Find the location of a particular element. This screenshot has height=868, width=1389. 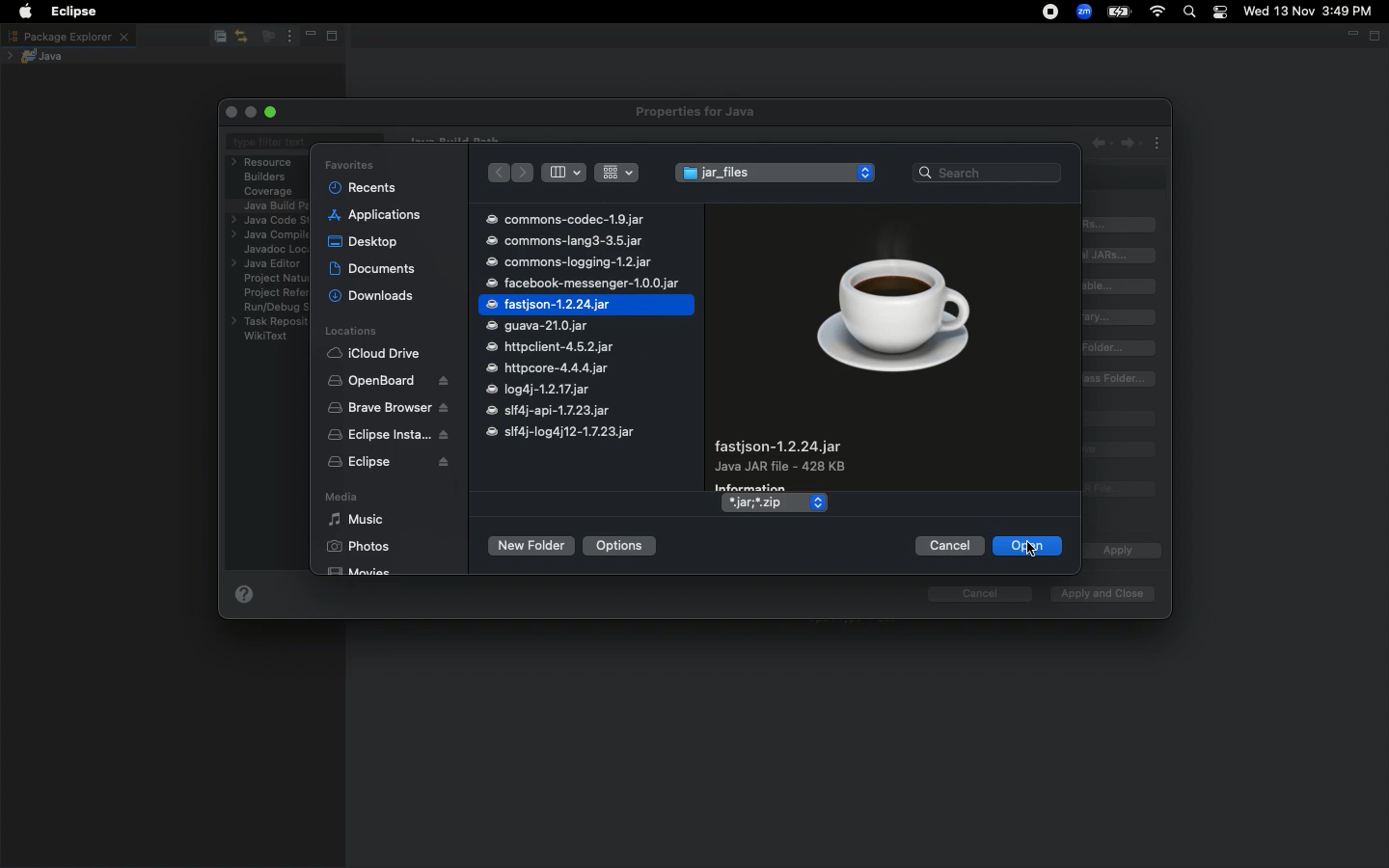

Recording is located at coordinates (1051, 14).